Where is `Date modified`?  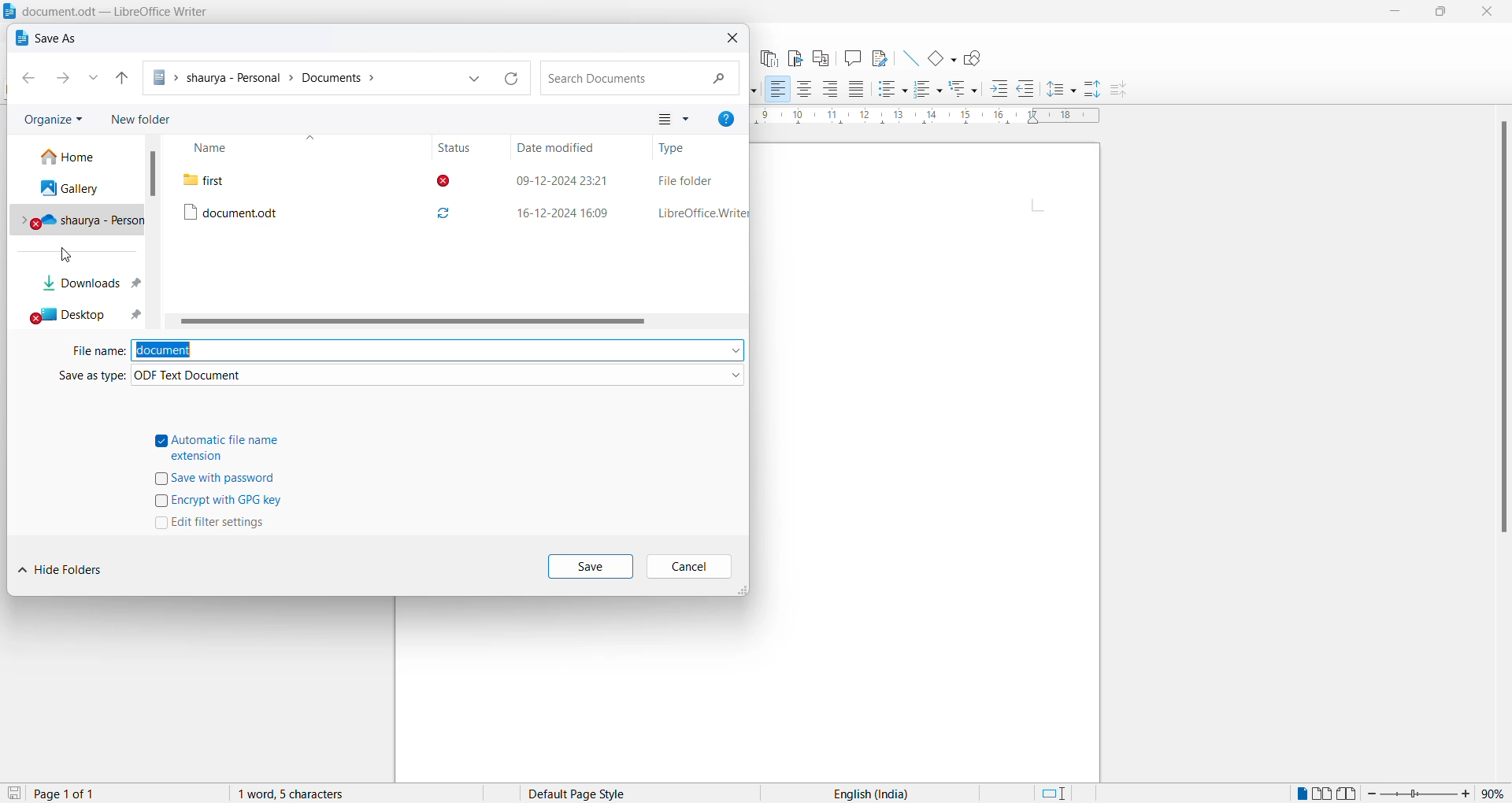
Date modified is located at coordinates (561, 148).